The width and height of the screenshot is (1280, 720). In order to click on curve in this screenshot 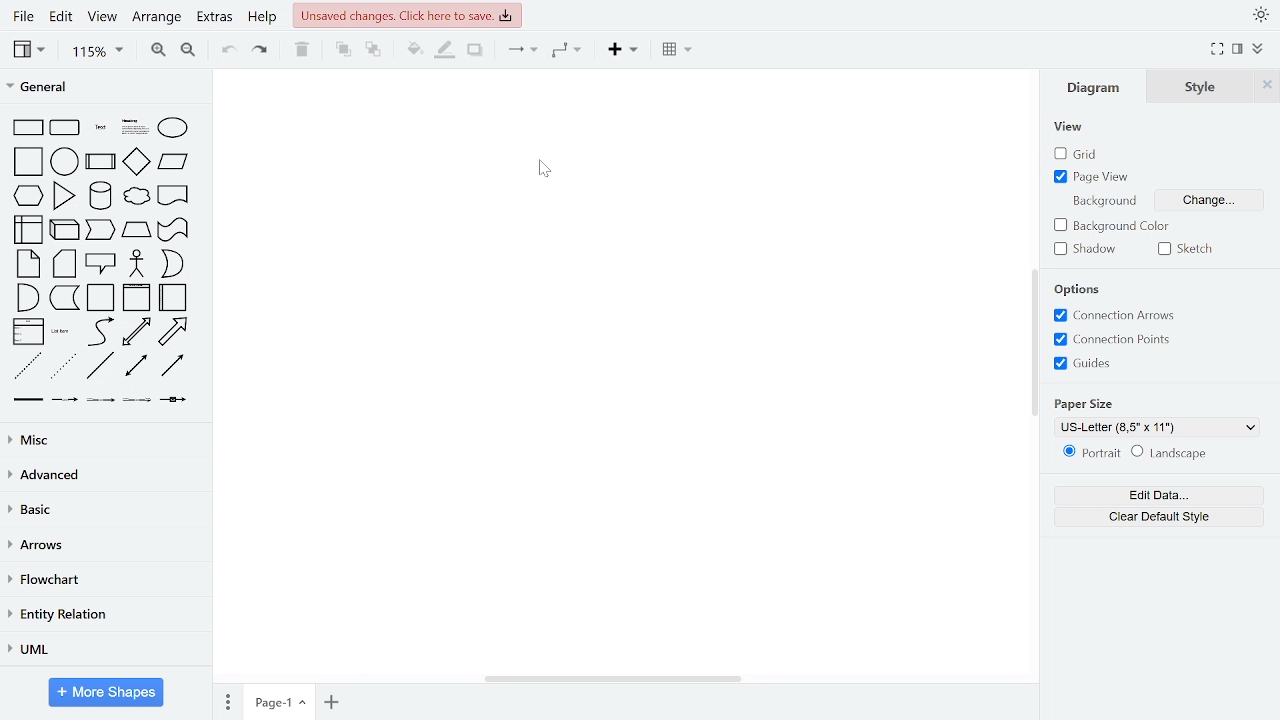, I will do `click(103, 332)`.